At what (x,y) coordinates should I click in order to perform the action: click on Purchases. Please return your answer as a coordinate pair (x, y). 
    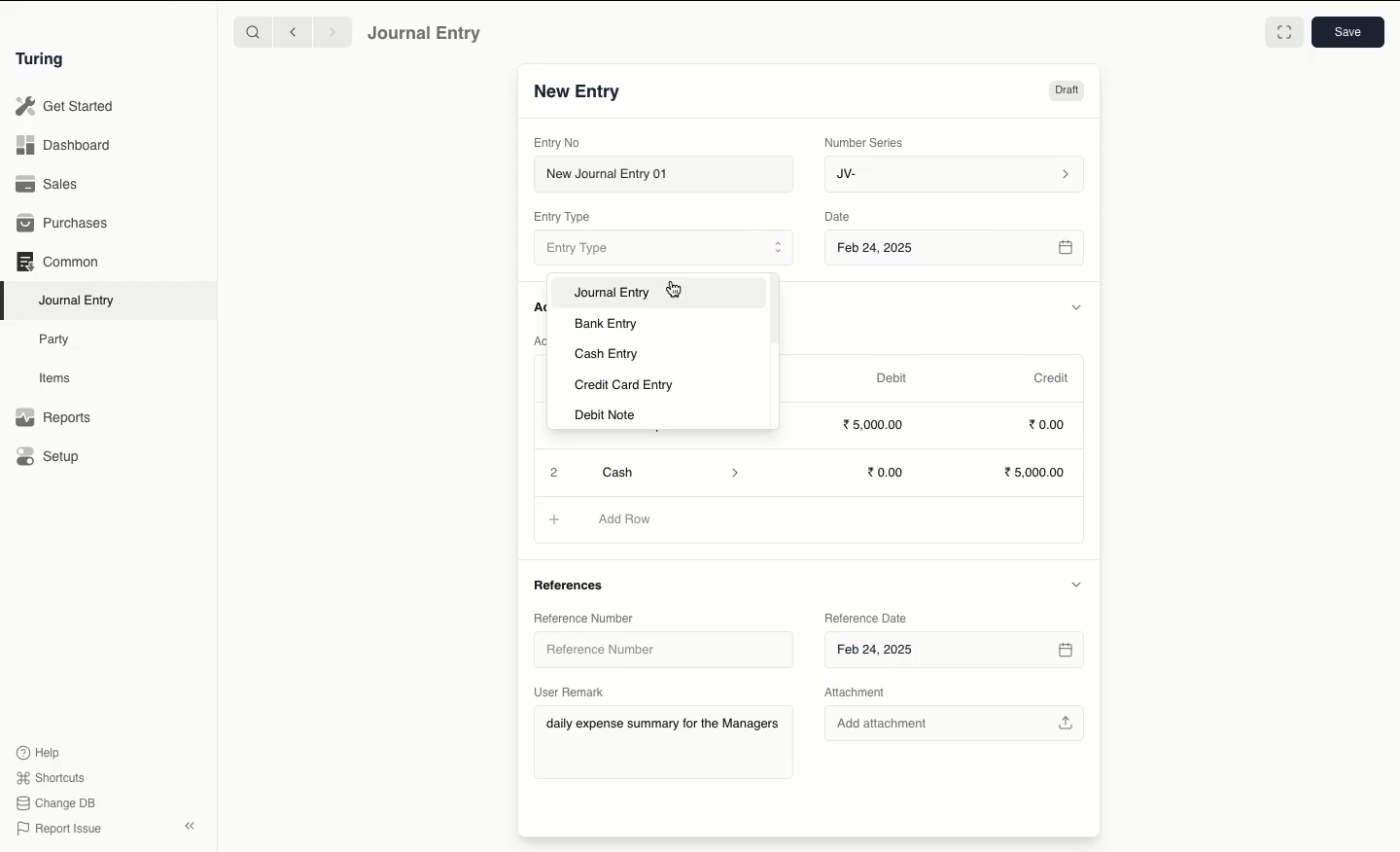
    Looking at the image, I should click on (63, 225).